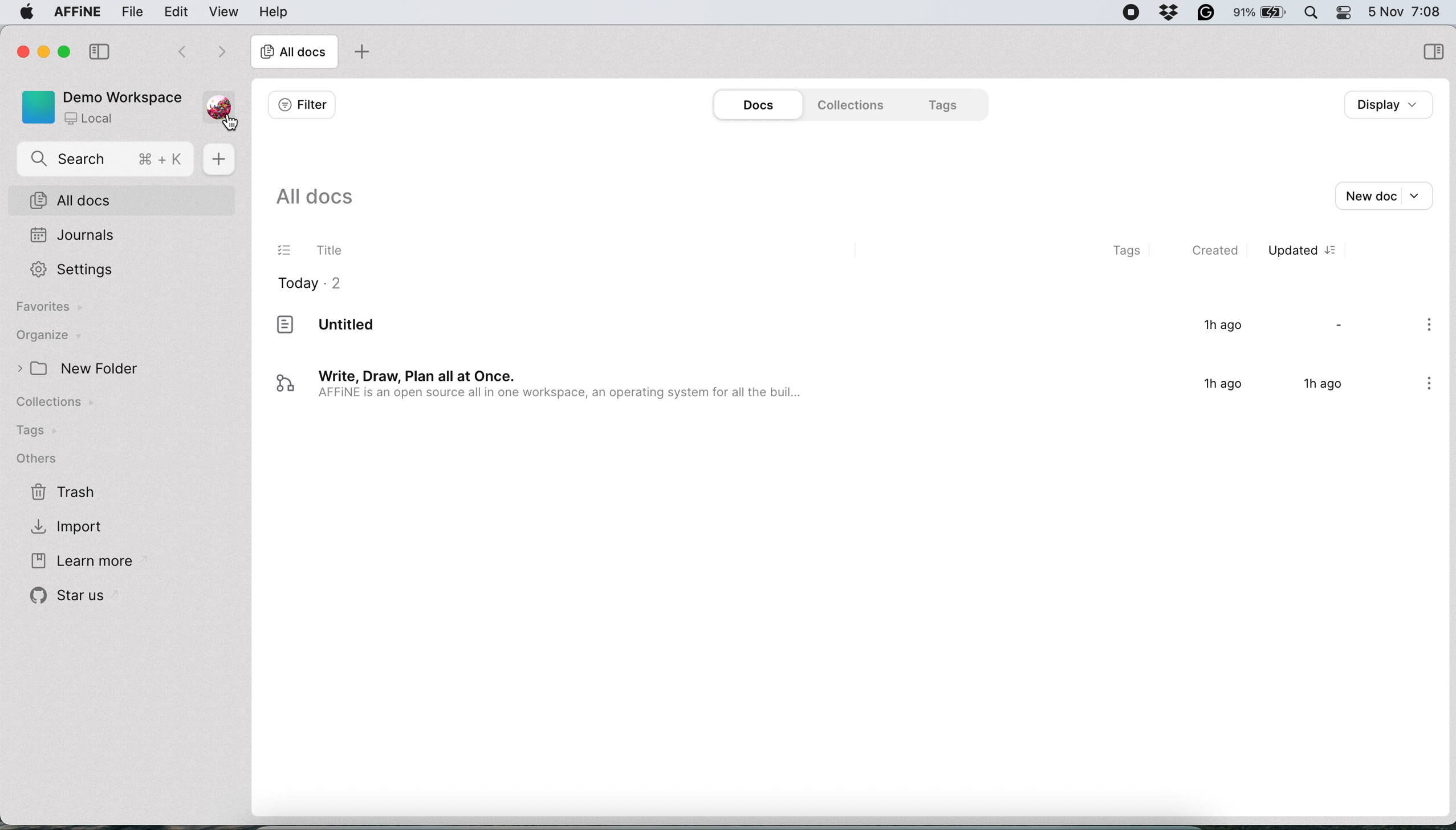 The image size is (1456, 830). I want to click on filter, so click(300, 104).